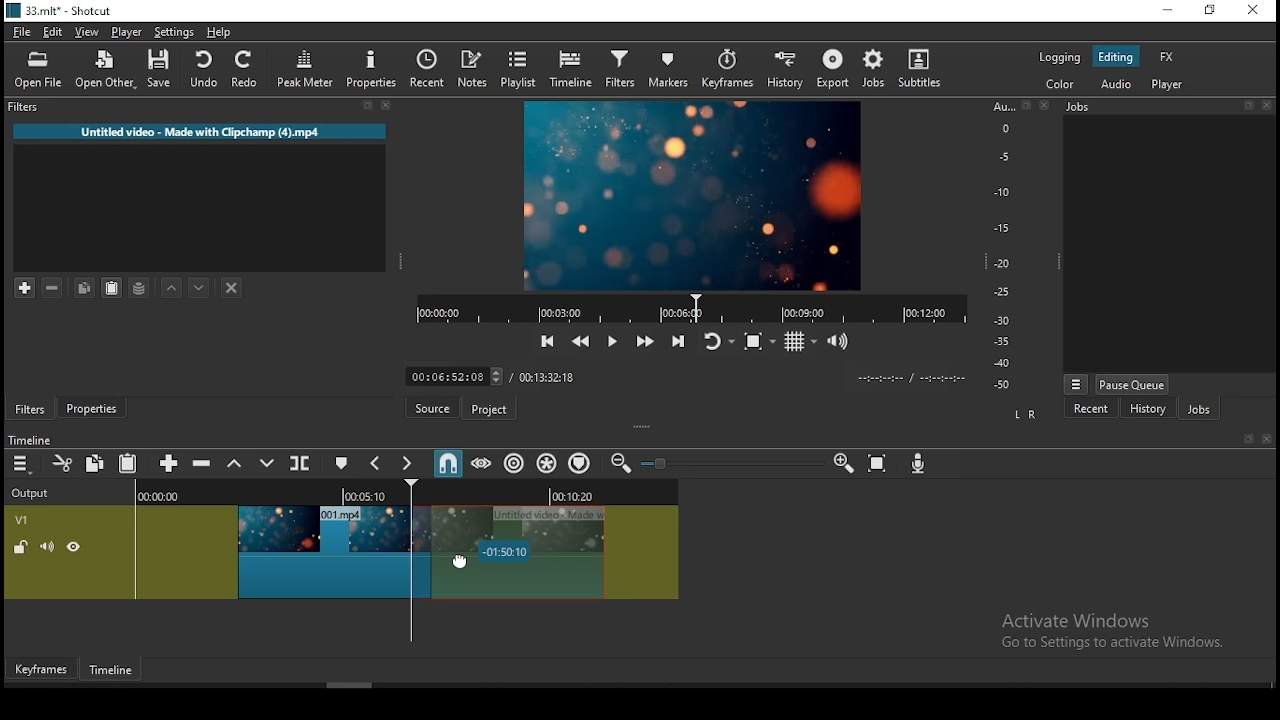 The image size is (1280, 720). What do you see at coordinates (174, 287) in the screenshot?
I see `move filter up` at bounding box center [174, 287].